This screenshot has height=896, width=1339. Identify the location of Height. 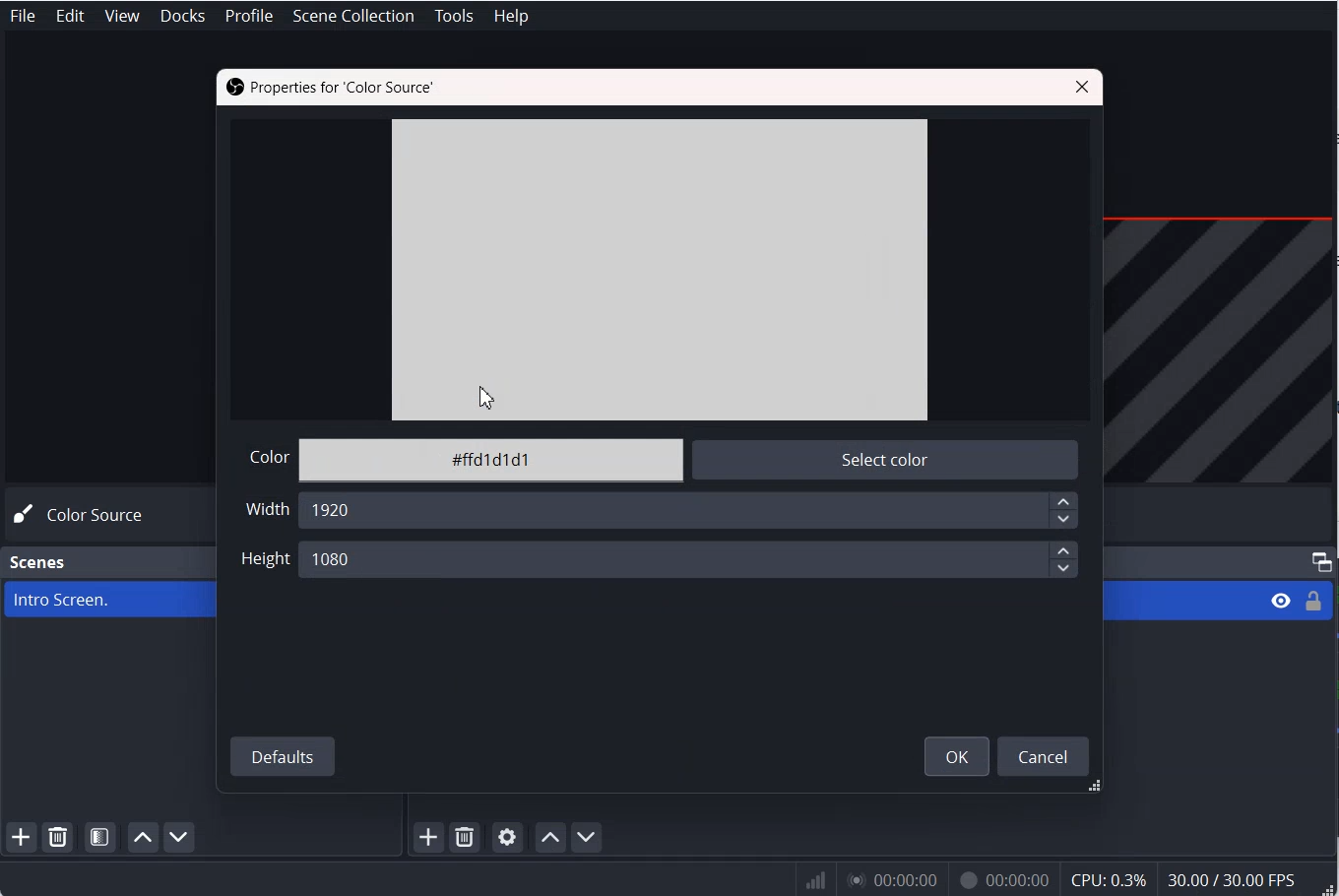
(691, 560).